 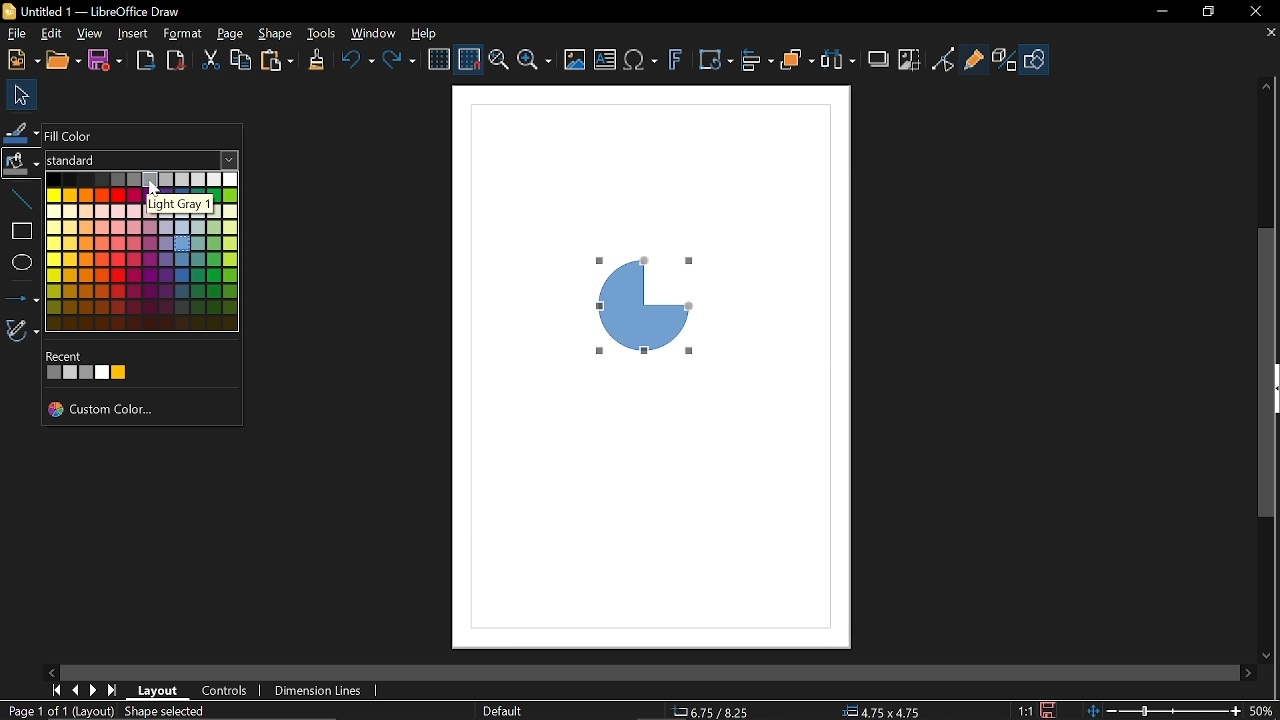 I want to click on Toggle , so click(x=943, y=59).